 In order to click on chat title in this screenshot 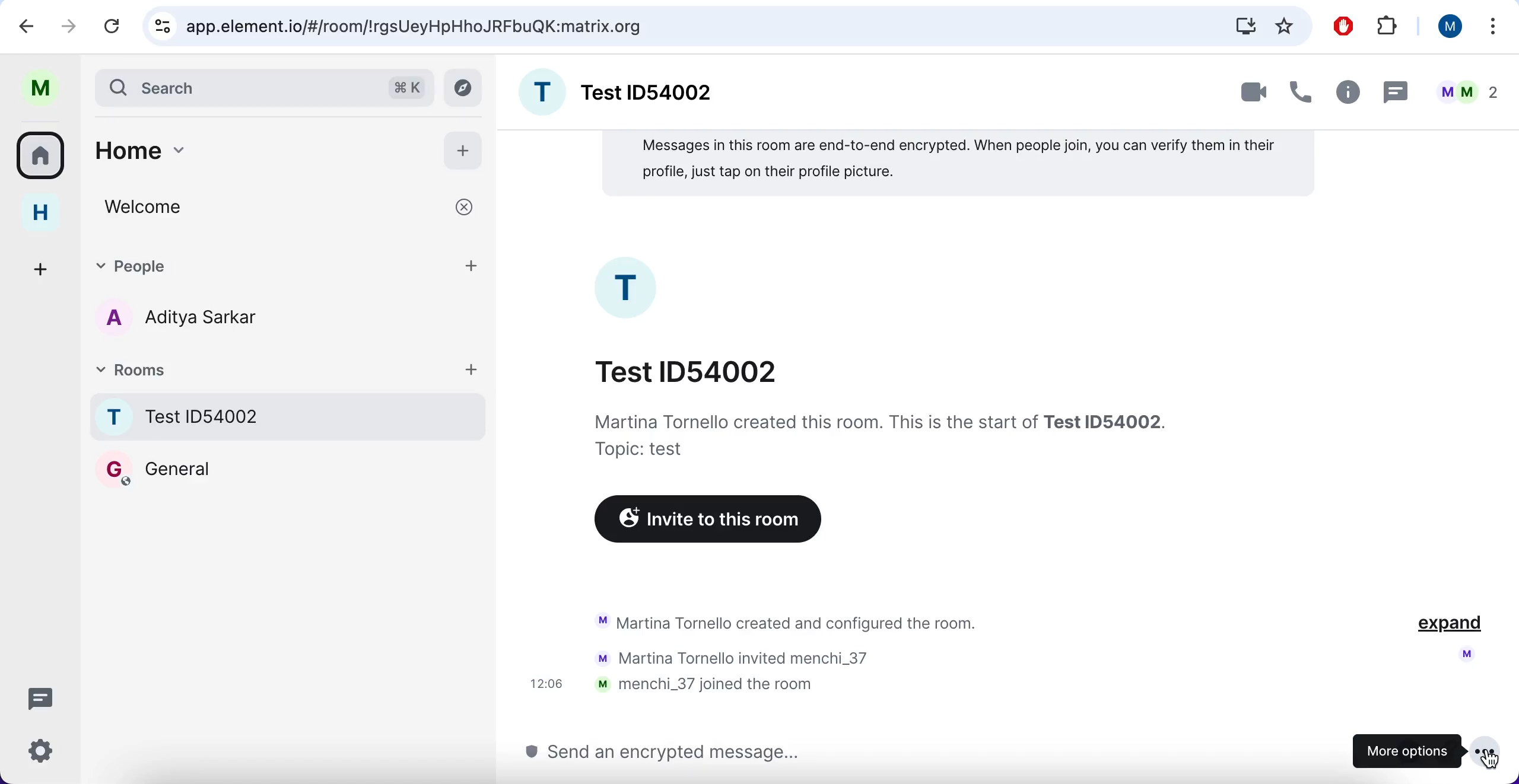, I will do `click(688, 369)`.